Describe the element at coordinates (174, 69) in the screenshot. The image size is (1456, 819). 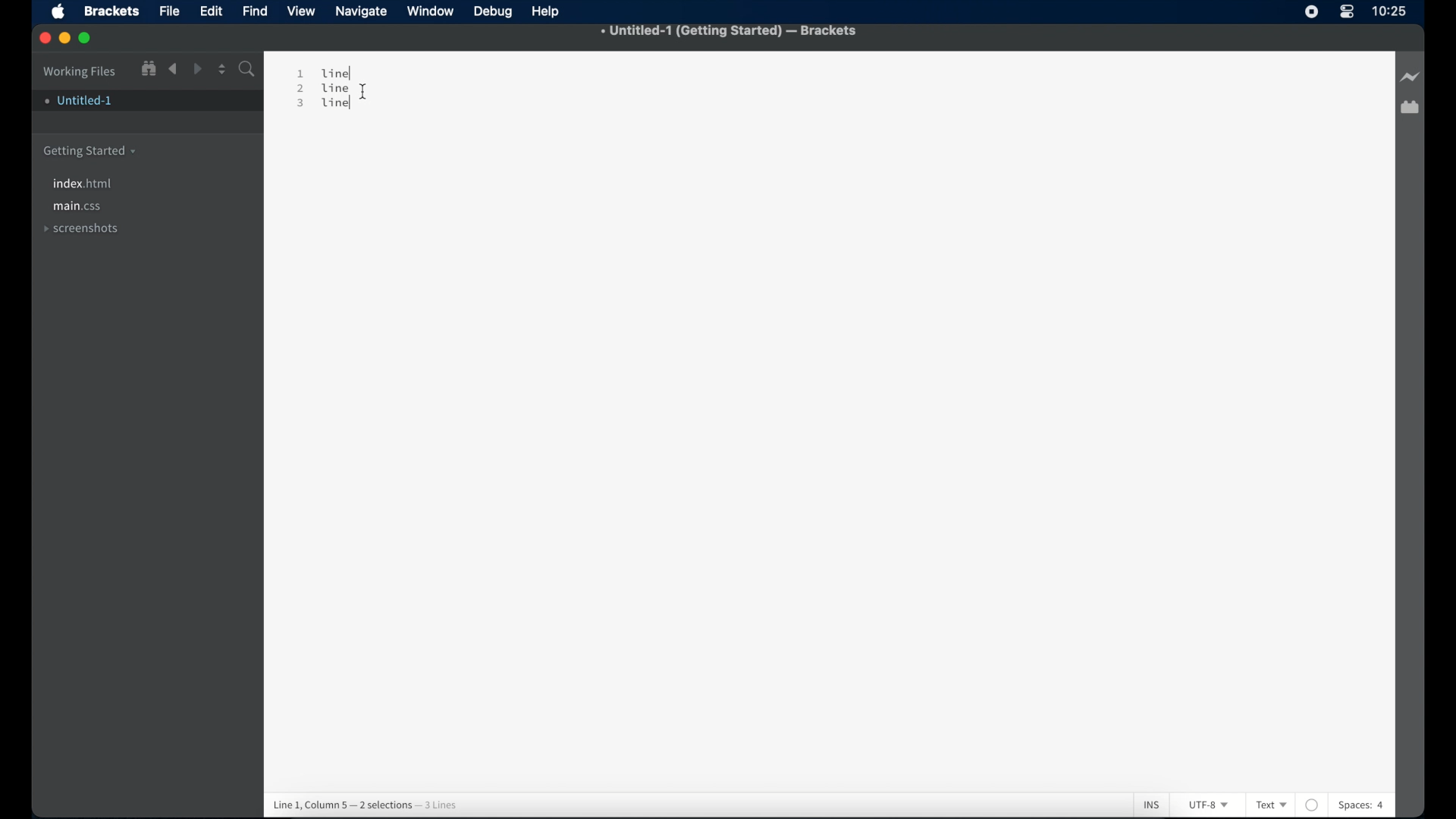
I see `navigate backward` at that location.